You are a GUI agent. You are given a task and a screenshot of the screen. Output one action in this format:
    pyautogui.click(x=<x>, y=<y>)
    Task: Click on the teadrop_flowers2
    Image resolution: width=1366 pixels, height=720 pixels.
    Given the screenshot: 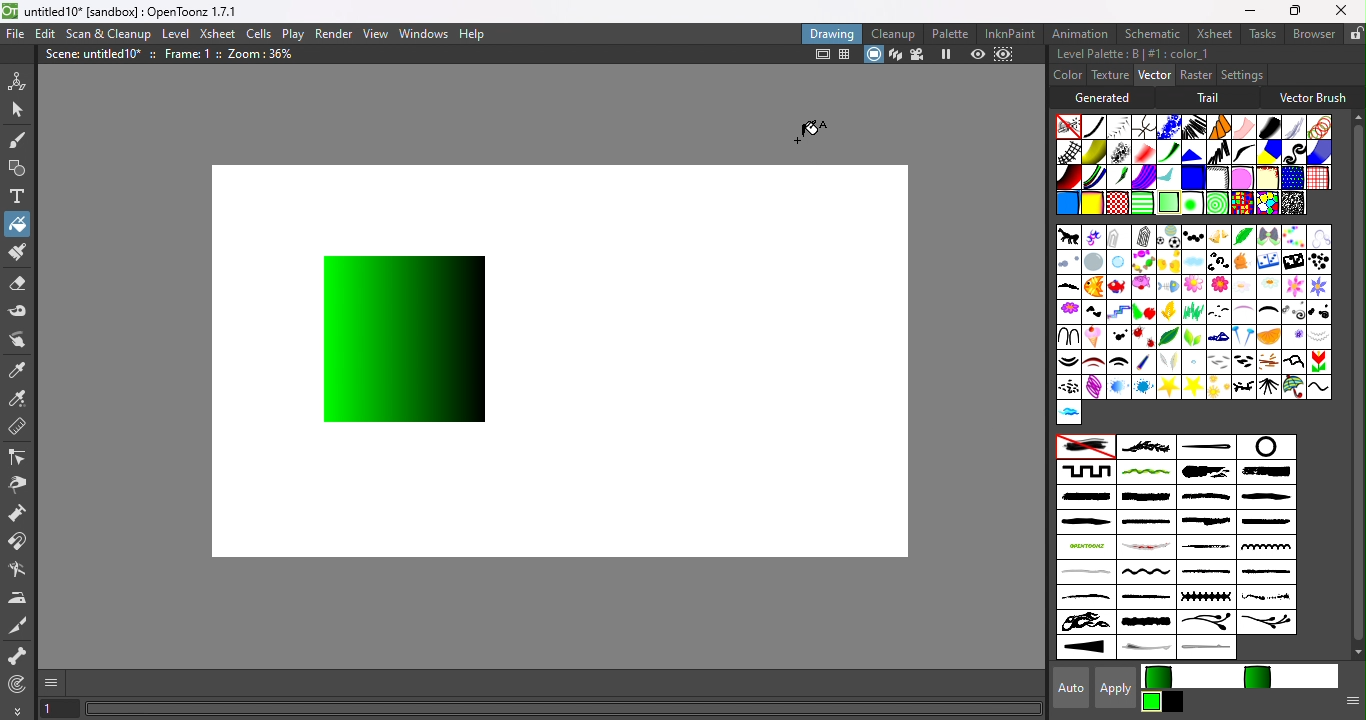 What is the action you would take?
    pyautogui.click(x=1265, y=622)
    